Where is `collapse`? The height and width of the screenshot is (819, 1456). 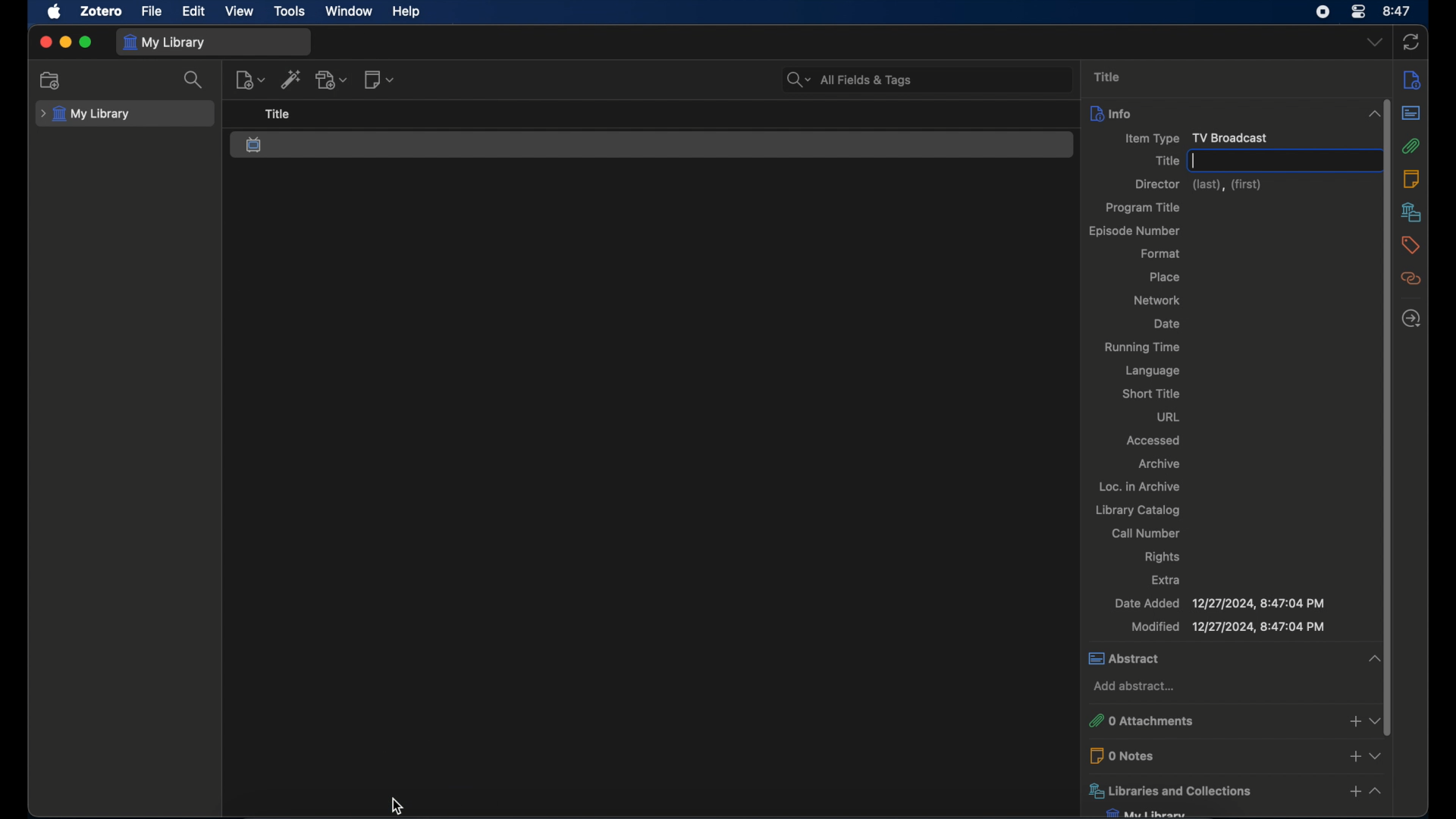 collapse is located at coordinates (1379, 792).